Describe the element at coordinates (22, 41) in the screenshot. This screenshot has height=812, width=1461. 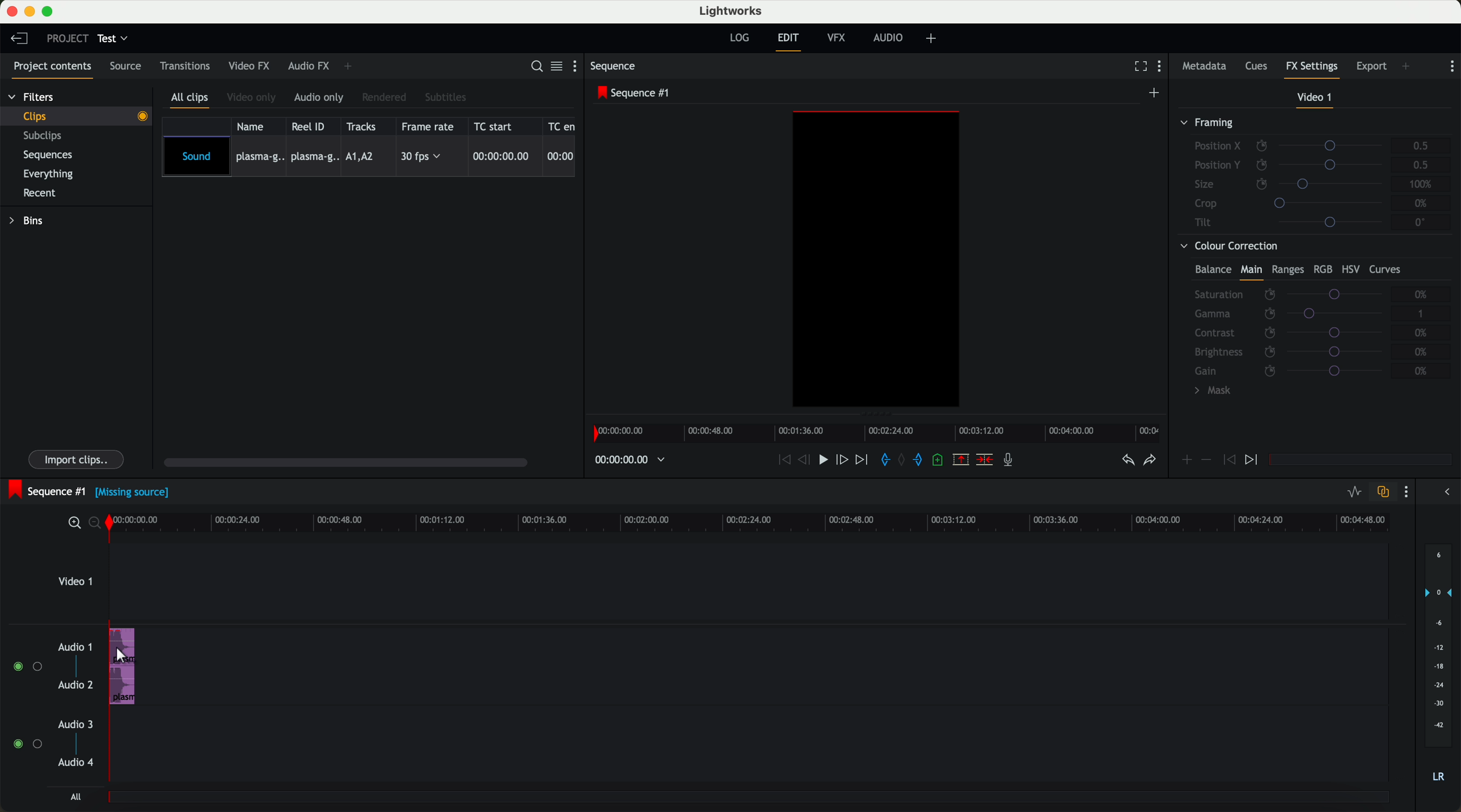
I see `leave` at that location.